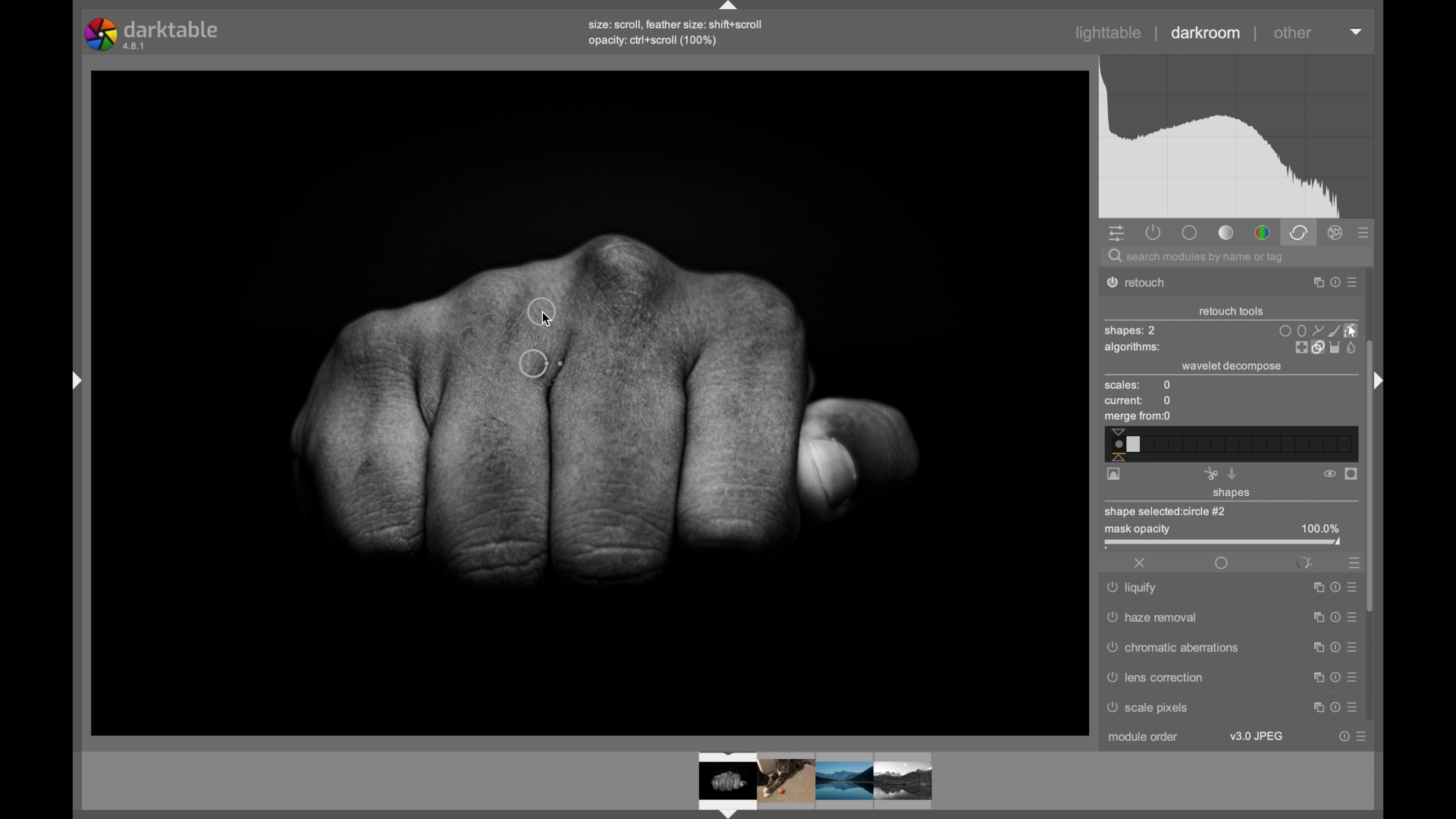 The width and height of the screenshot is (1456, 819). I want to click on more options, so click(1351, 676).